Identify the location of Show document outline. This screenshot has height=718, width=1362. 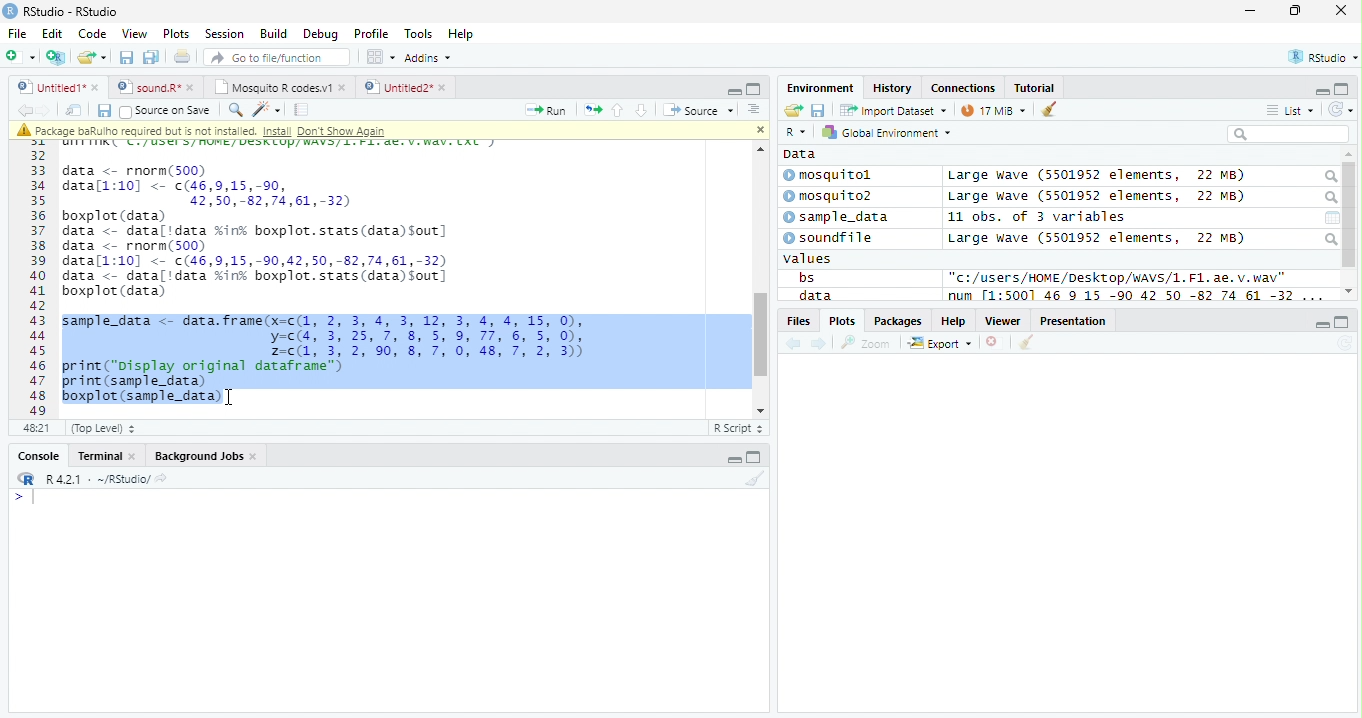
(753, 109).